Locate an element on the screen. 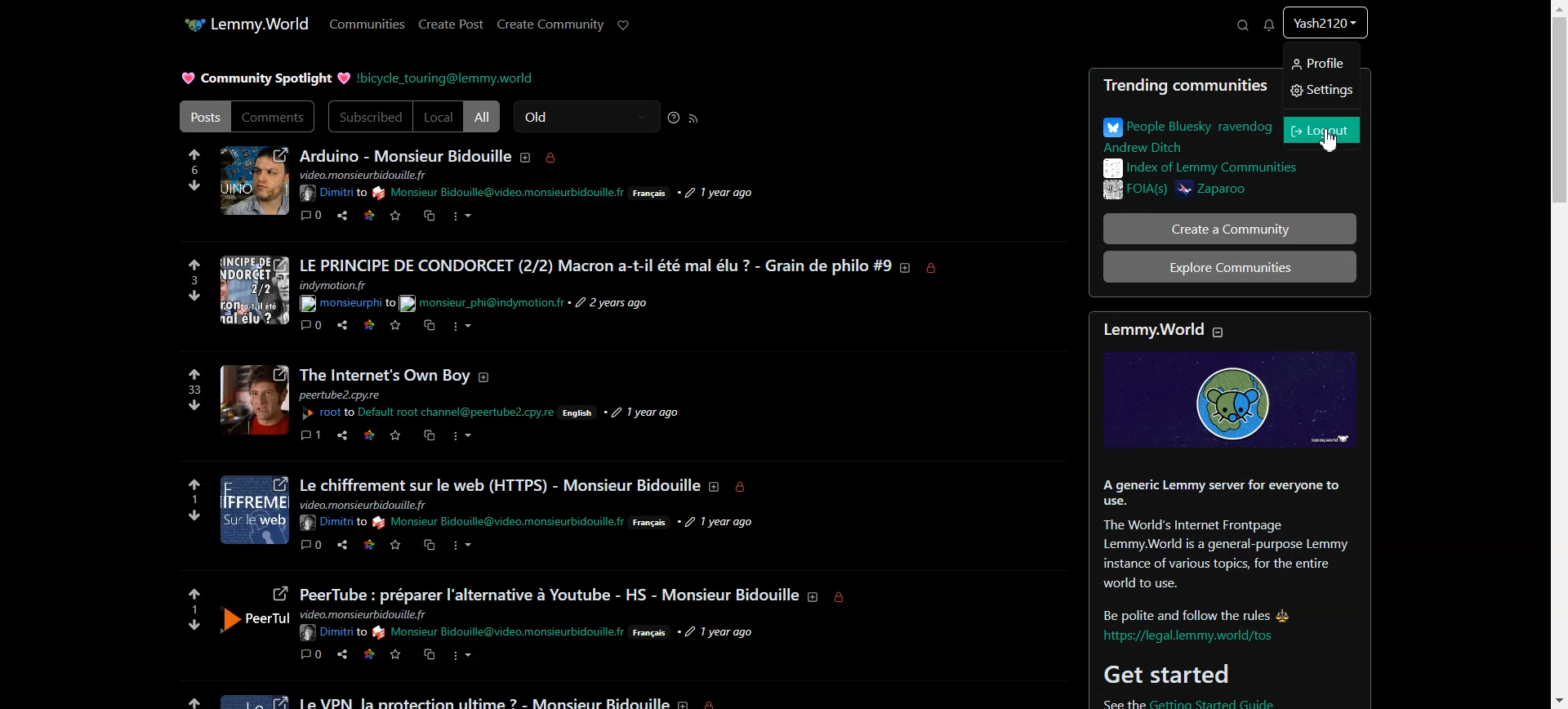 This screenshot has height=709, width=1568.  is located at coordinates (365, 614).